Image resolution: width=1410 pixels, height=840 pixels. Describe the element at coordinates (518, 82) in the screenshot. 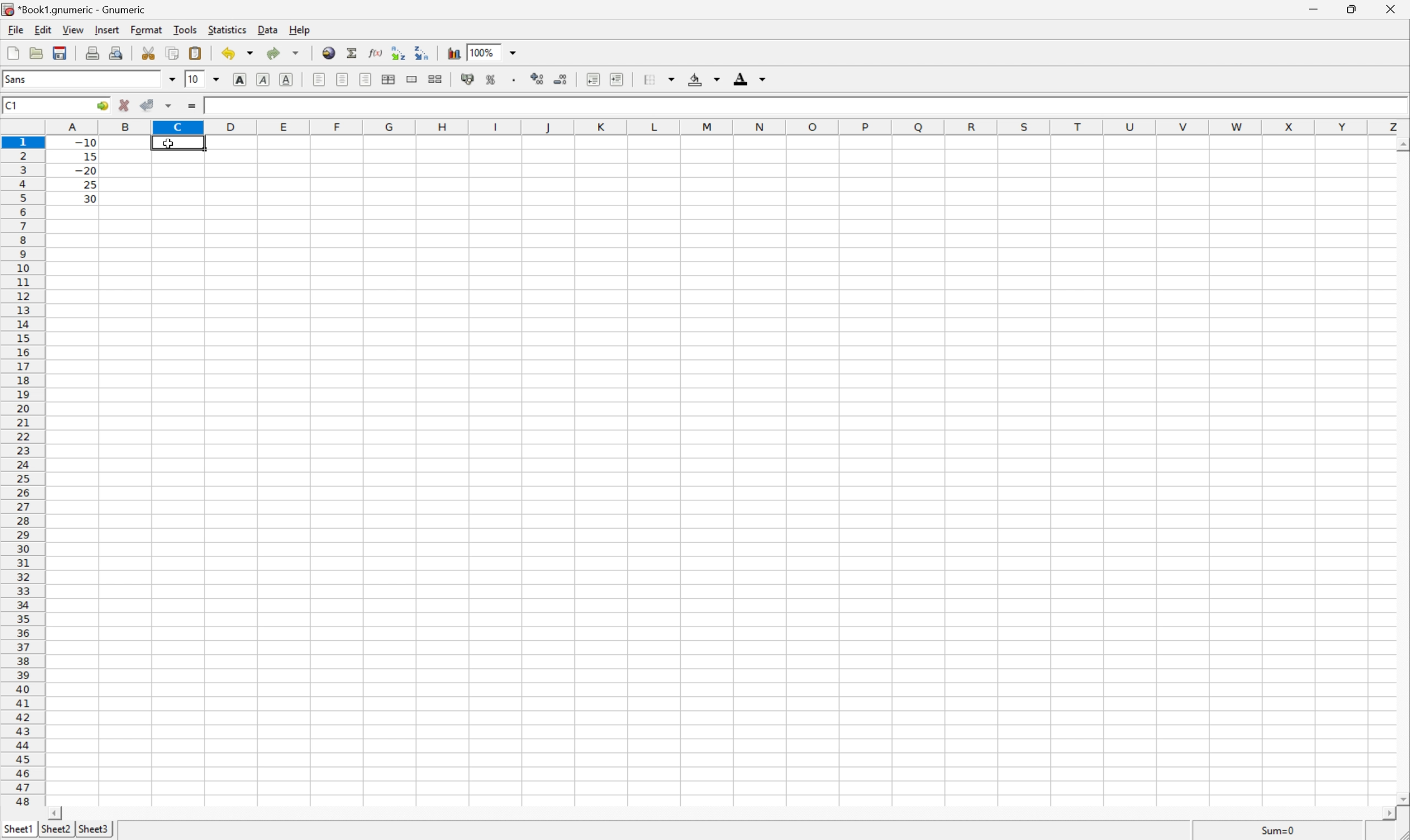

I see `Set the format of the selected cells to include a thousands separator` at that location.